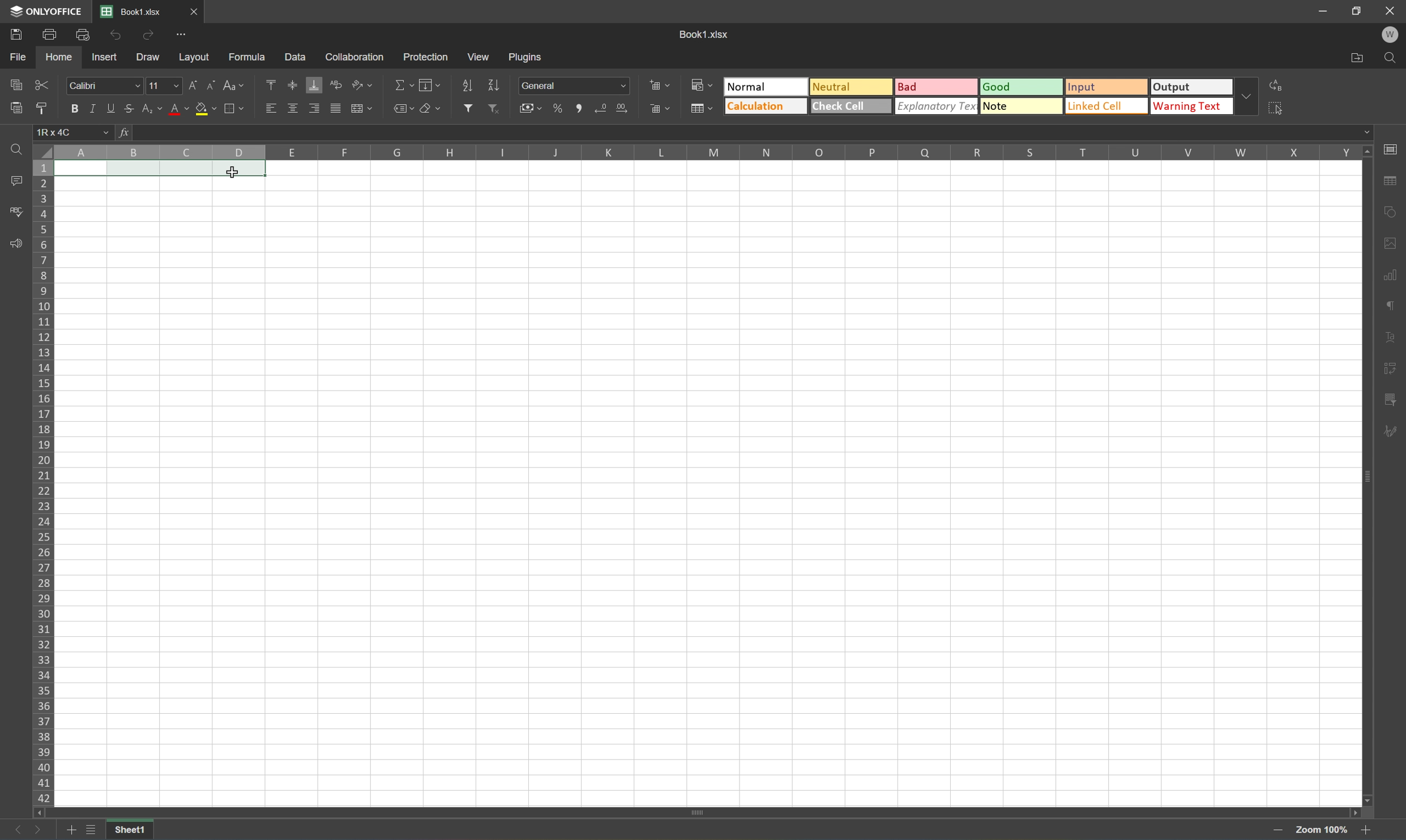  What do you see at coordinates (92, 830) in the screenshot?
I see `List of sheets` at bounding box center [92, 830].